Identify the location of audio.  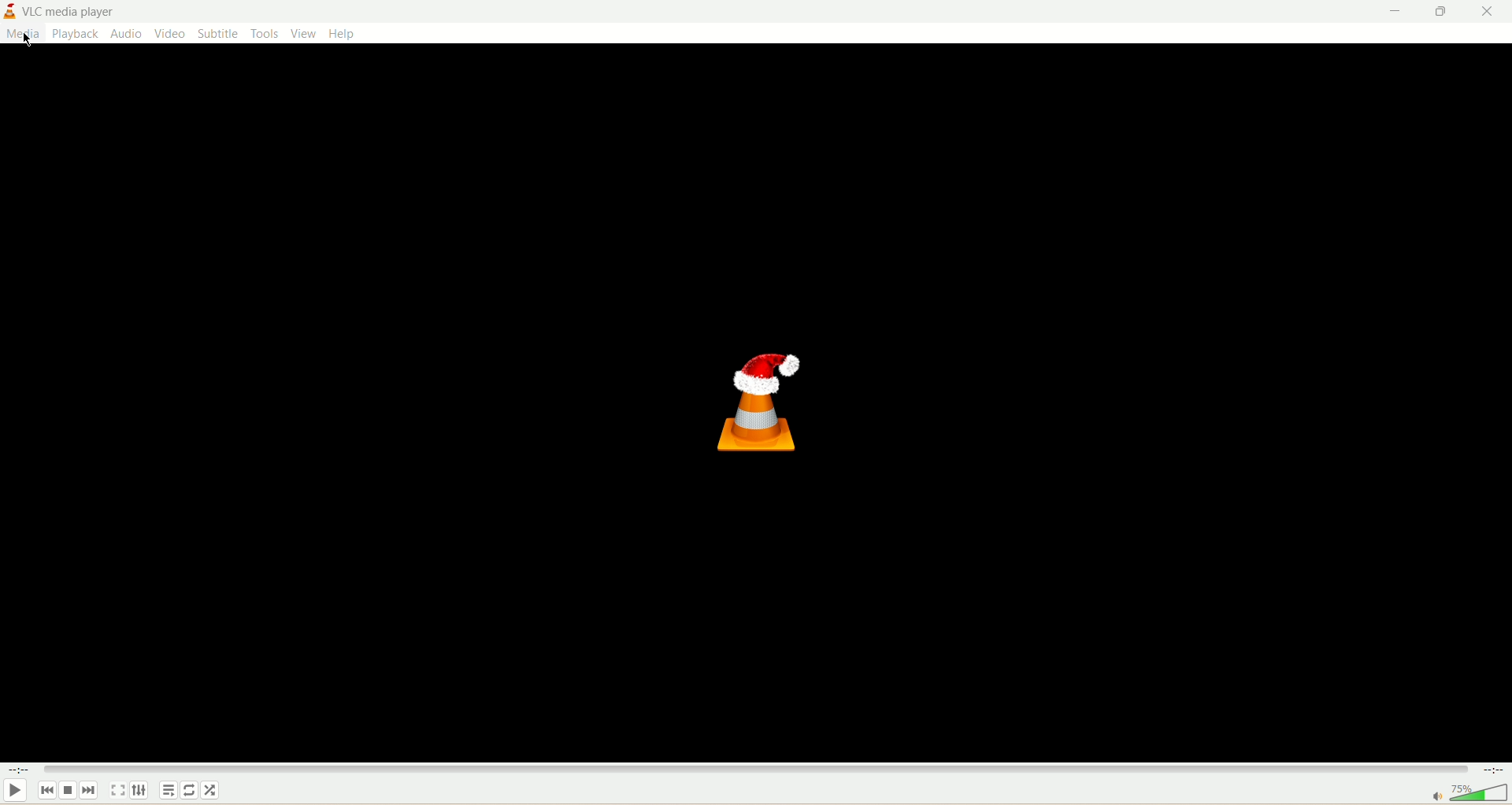
(124, 34).